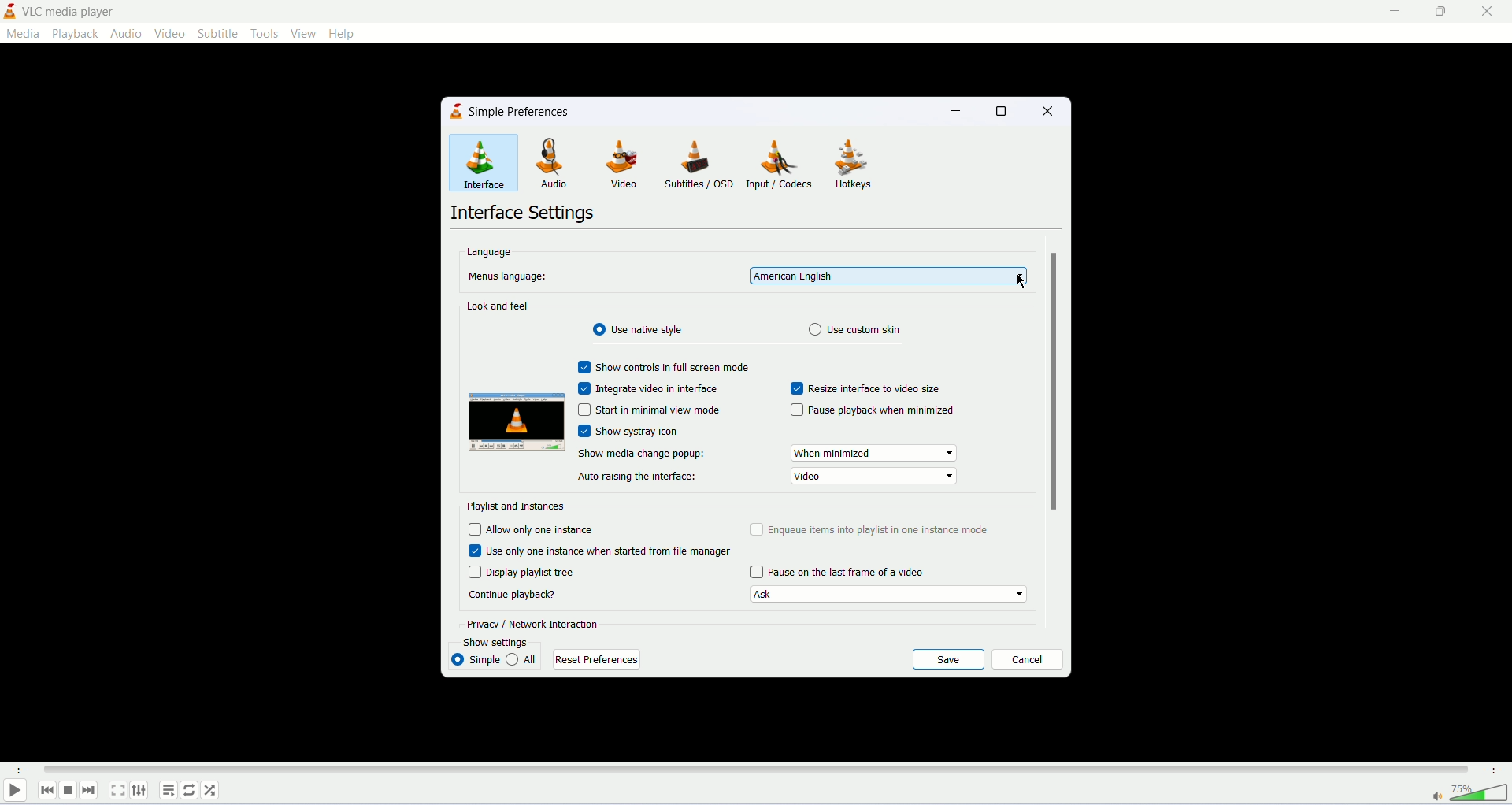 The image size is (1512, 805). I want to click on privacy/network interaction, so click(532, 624).